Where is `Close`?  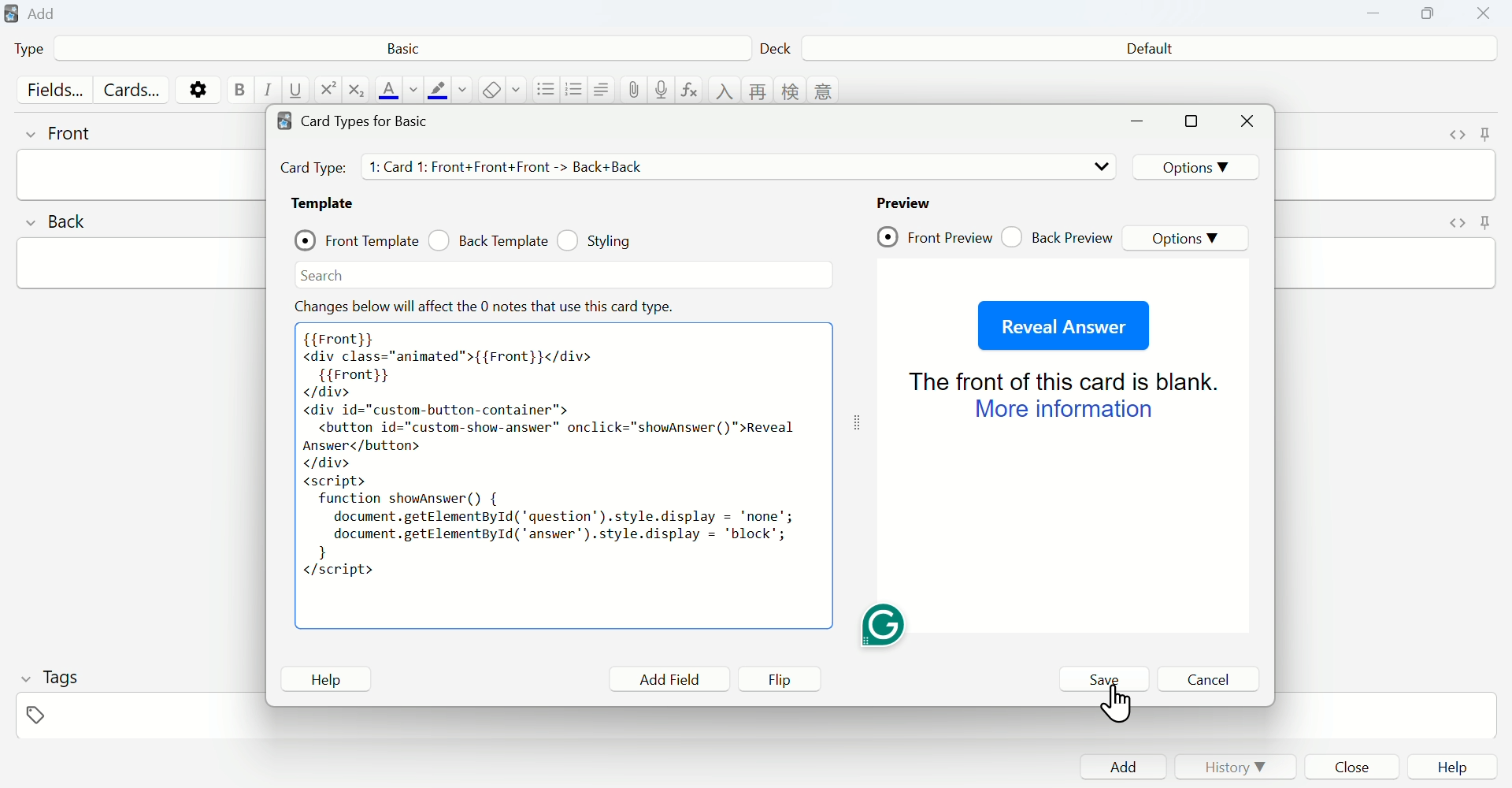 Close is located at coordinates (1351, 767).